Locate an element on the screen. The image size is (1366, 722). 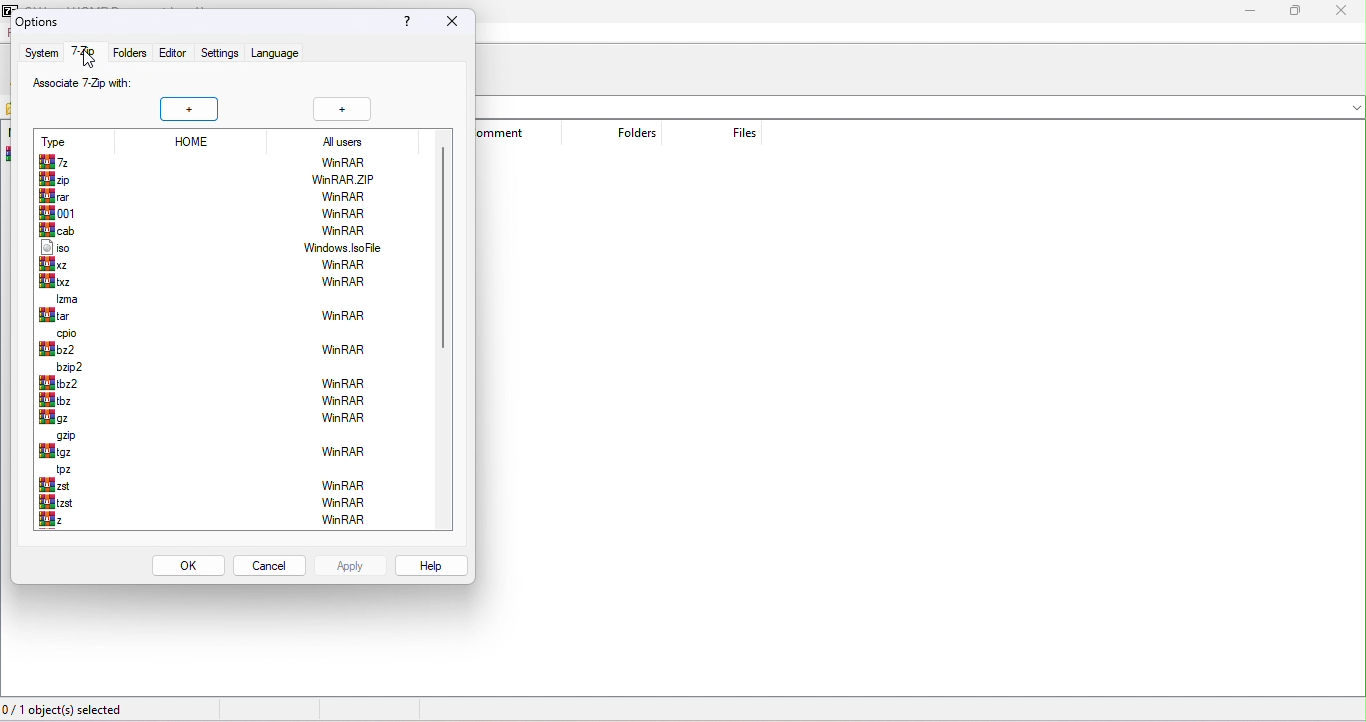
tbz is located at coordinates (63, 400).